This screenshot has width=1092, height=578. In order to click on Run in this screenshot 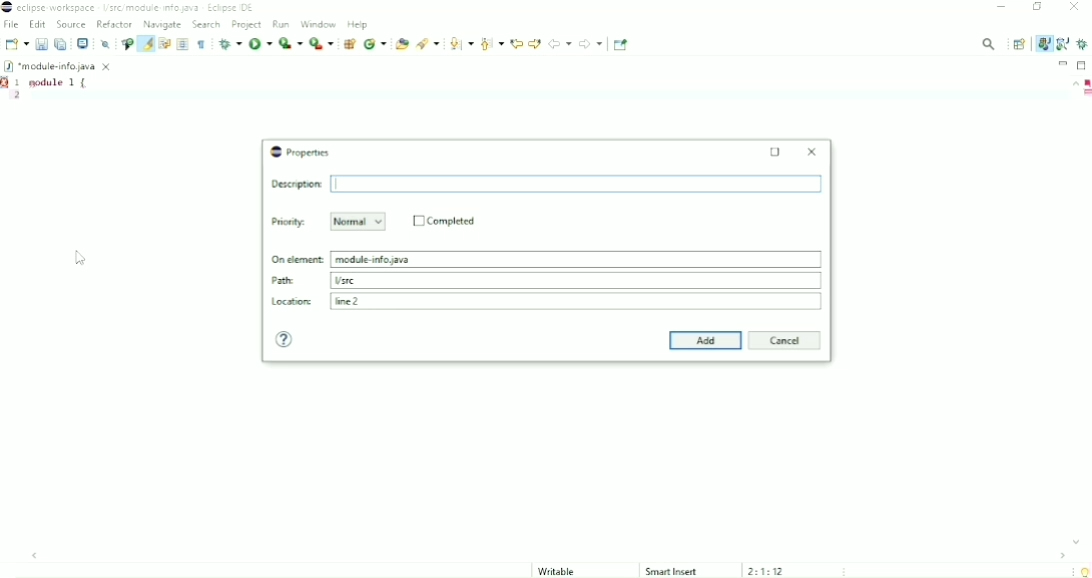, I will do `click(283, 23)`.